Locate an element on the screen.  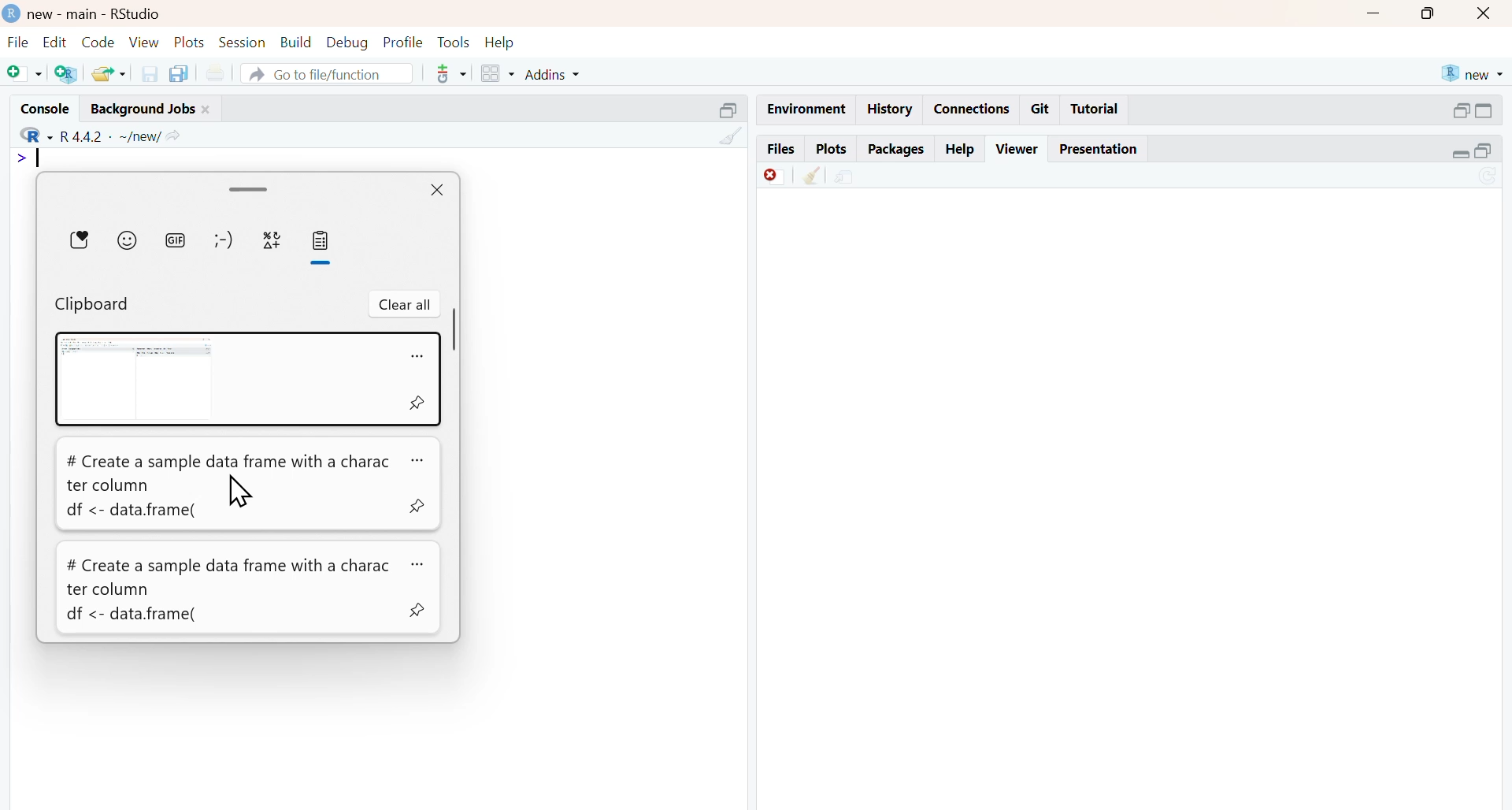
history is located at coordinates (891, 110).